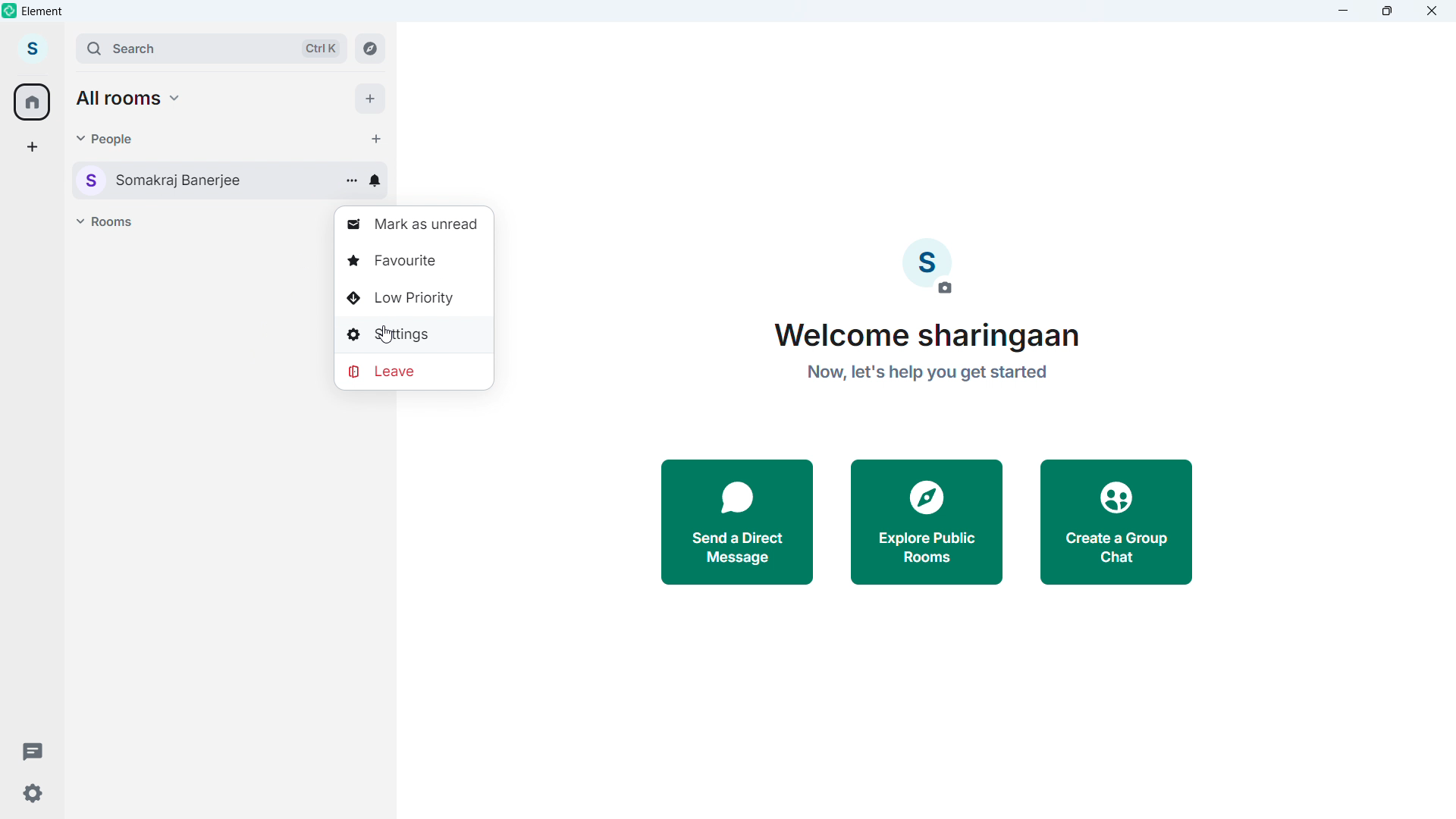  I want to click on people , so click(105, 138).